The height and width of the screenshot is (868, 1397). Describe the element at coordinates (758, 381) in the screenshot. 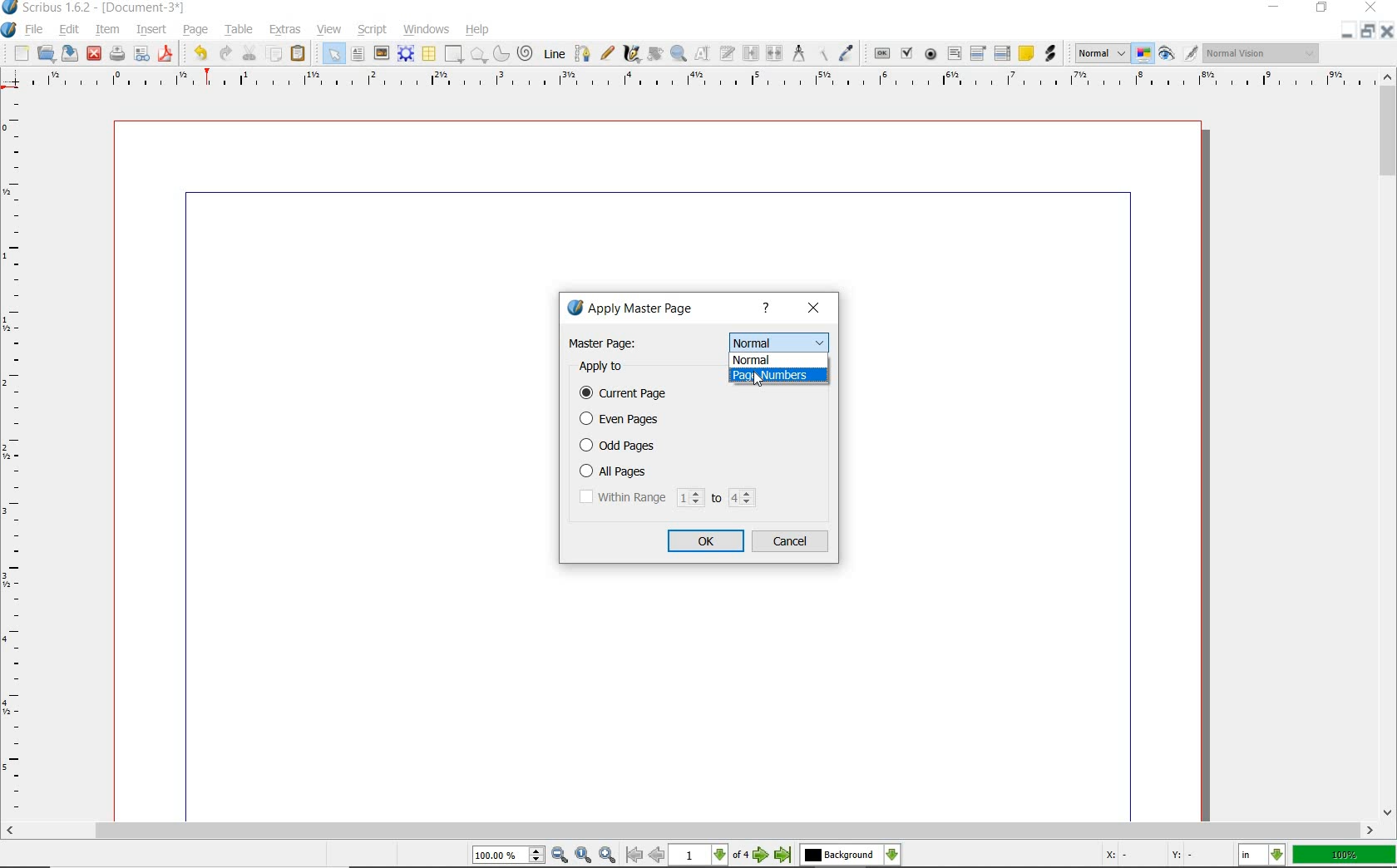

I see `Cursor Position` at that location.